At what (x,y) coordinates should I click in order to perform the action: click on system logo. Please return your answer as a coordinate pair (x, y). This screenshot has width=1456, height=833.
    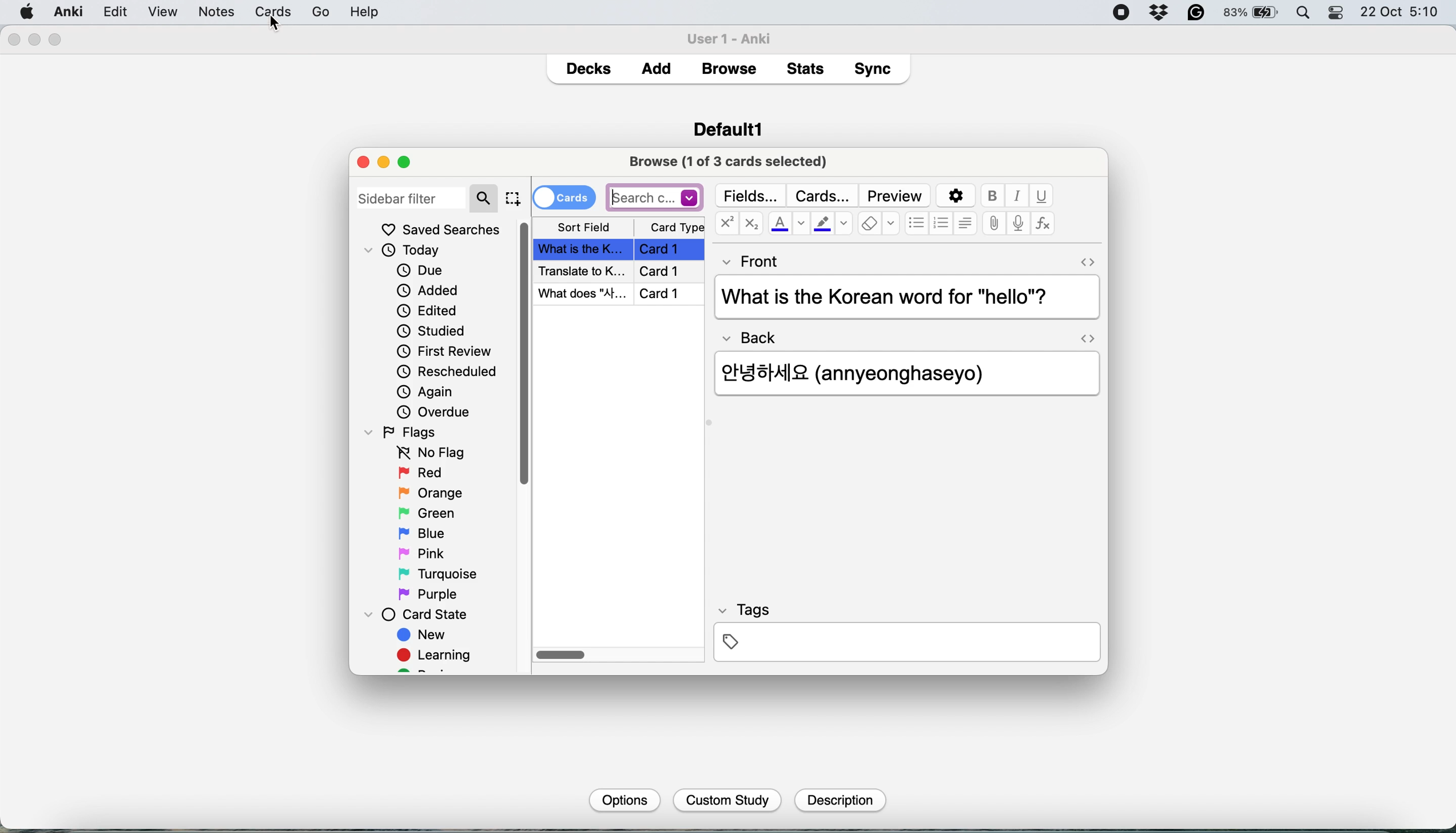
    Looking at the image, I should click on (27, 11).